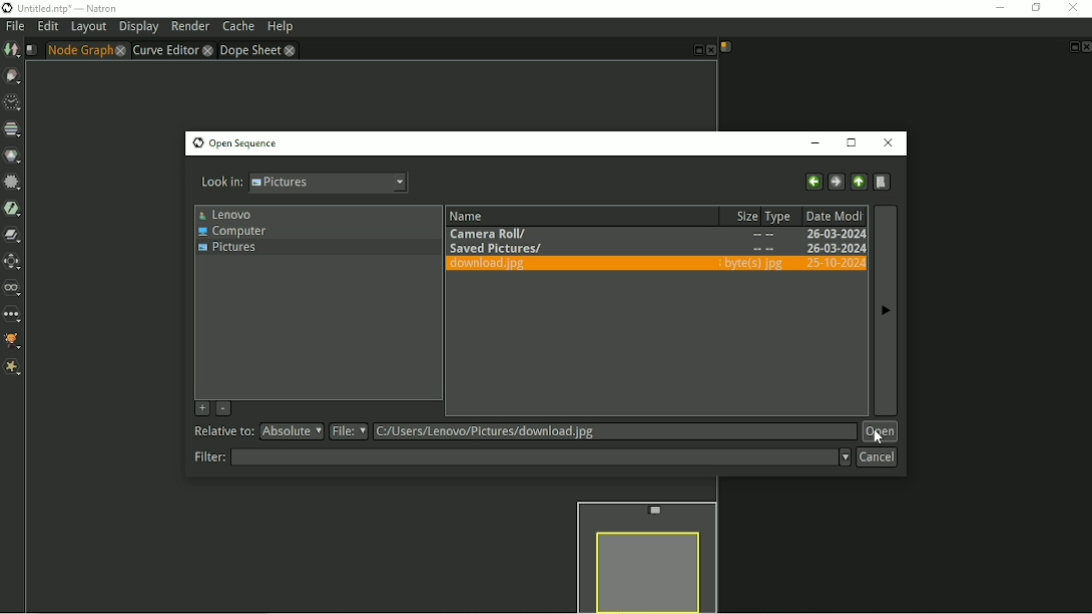  I want to click on Close, so click(890, 142).